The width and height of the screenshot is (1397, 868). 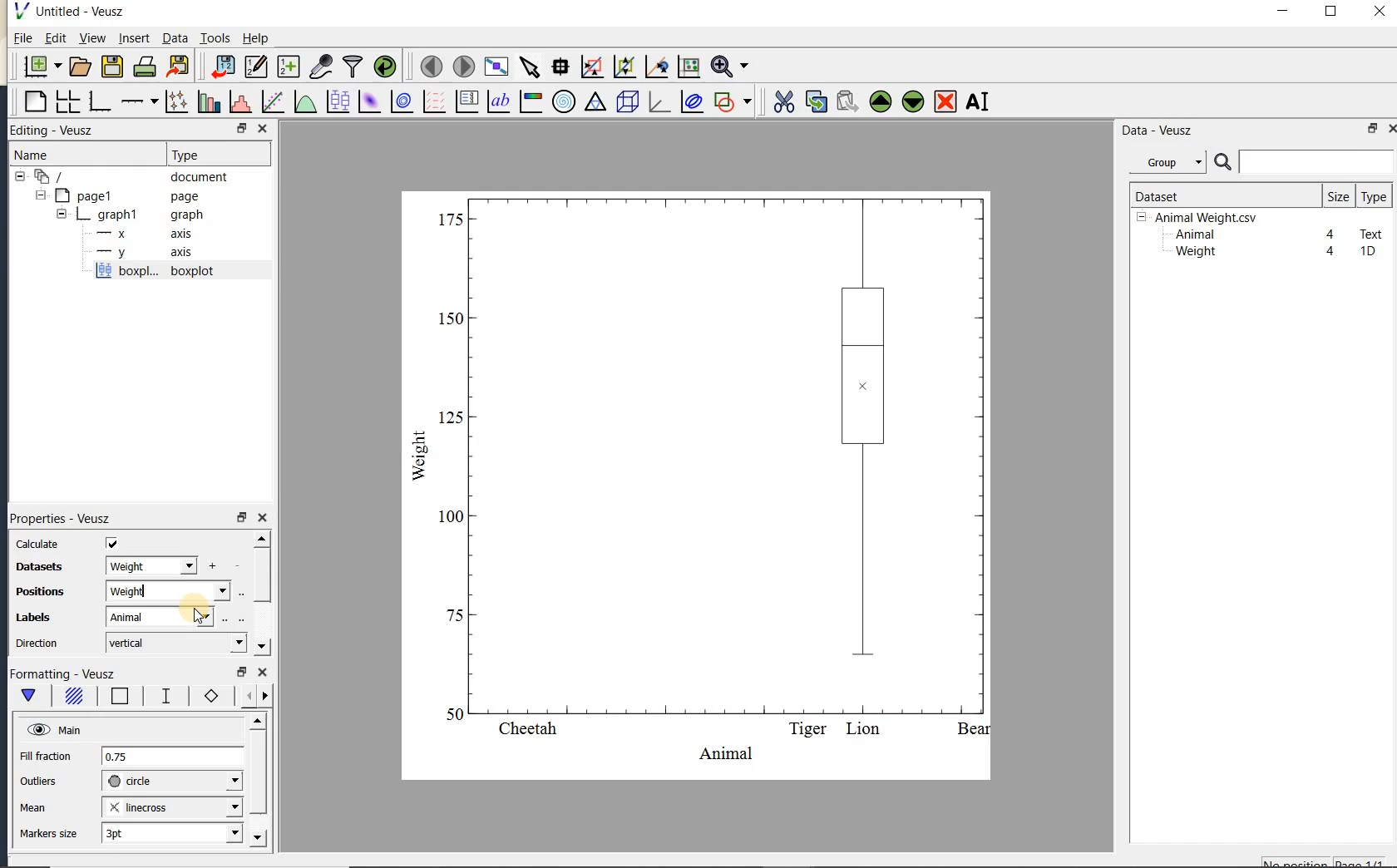 I want to click on Animal, so click(x=168, y=615).